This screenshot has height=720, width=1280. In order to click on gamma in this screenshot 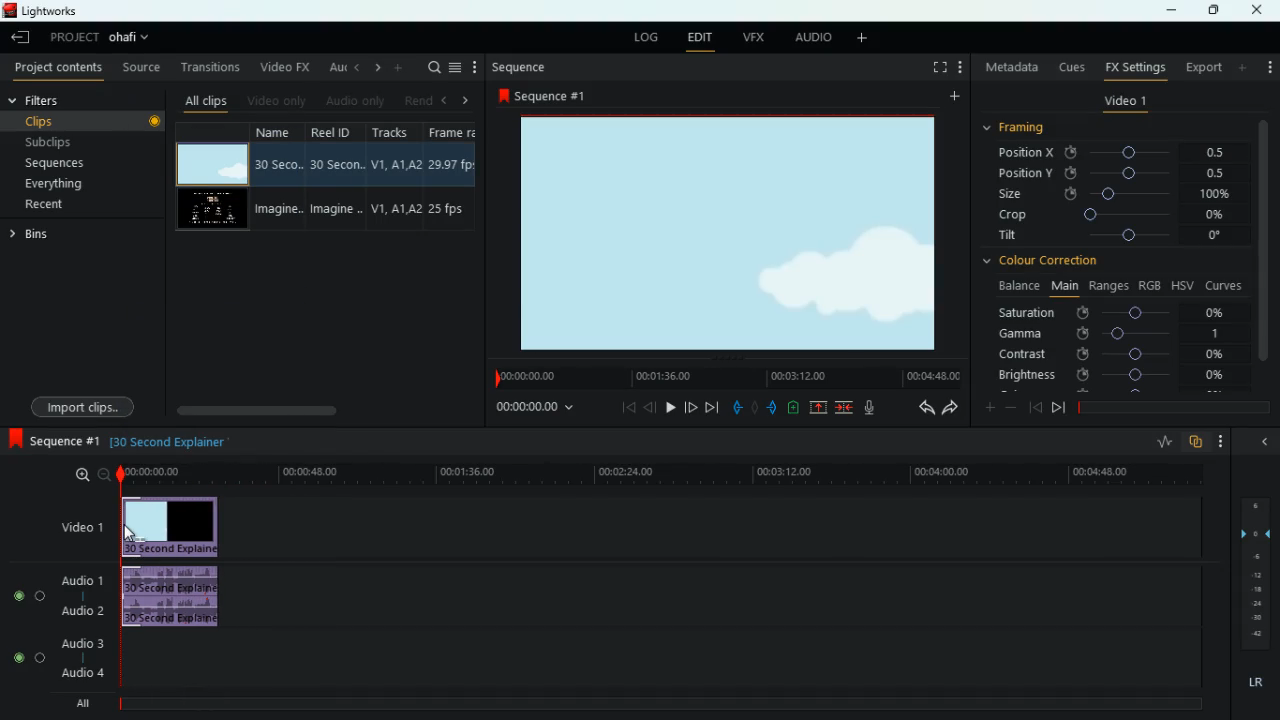, I will do `click(1123, 335)`.